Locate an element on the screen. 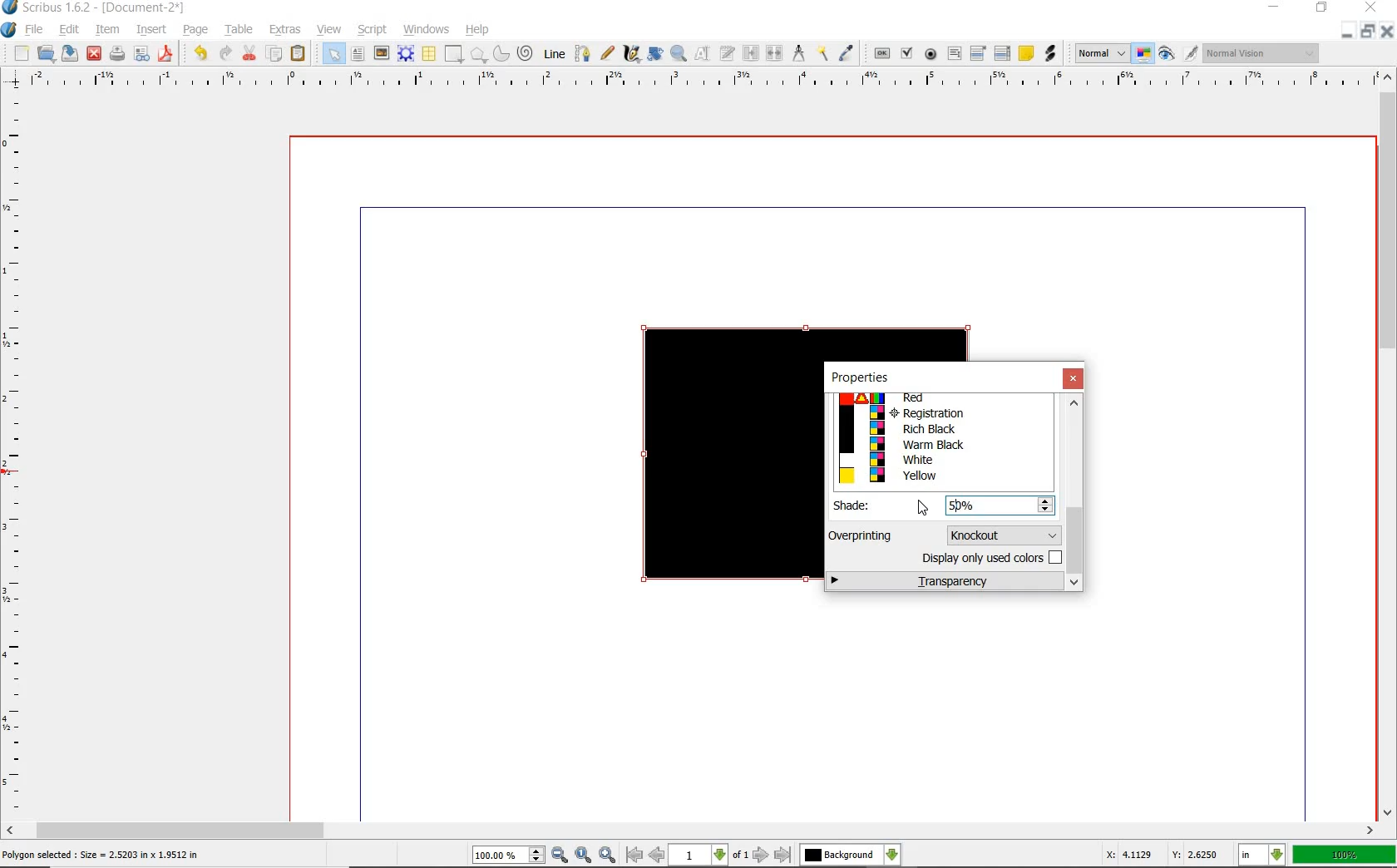 The image size is (1397, 868). save is located at coordinates (69, 55).